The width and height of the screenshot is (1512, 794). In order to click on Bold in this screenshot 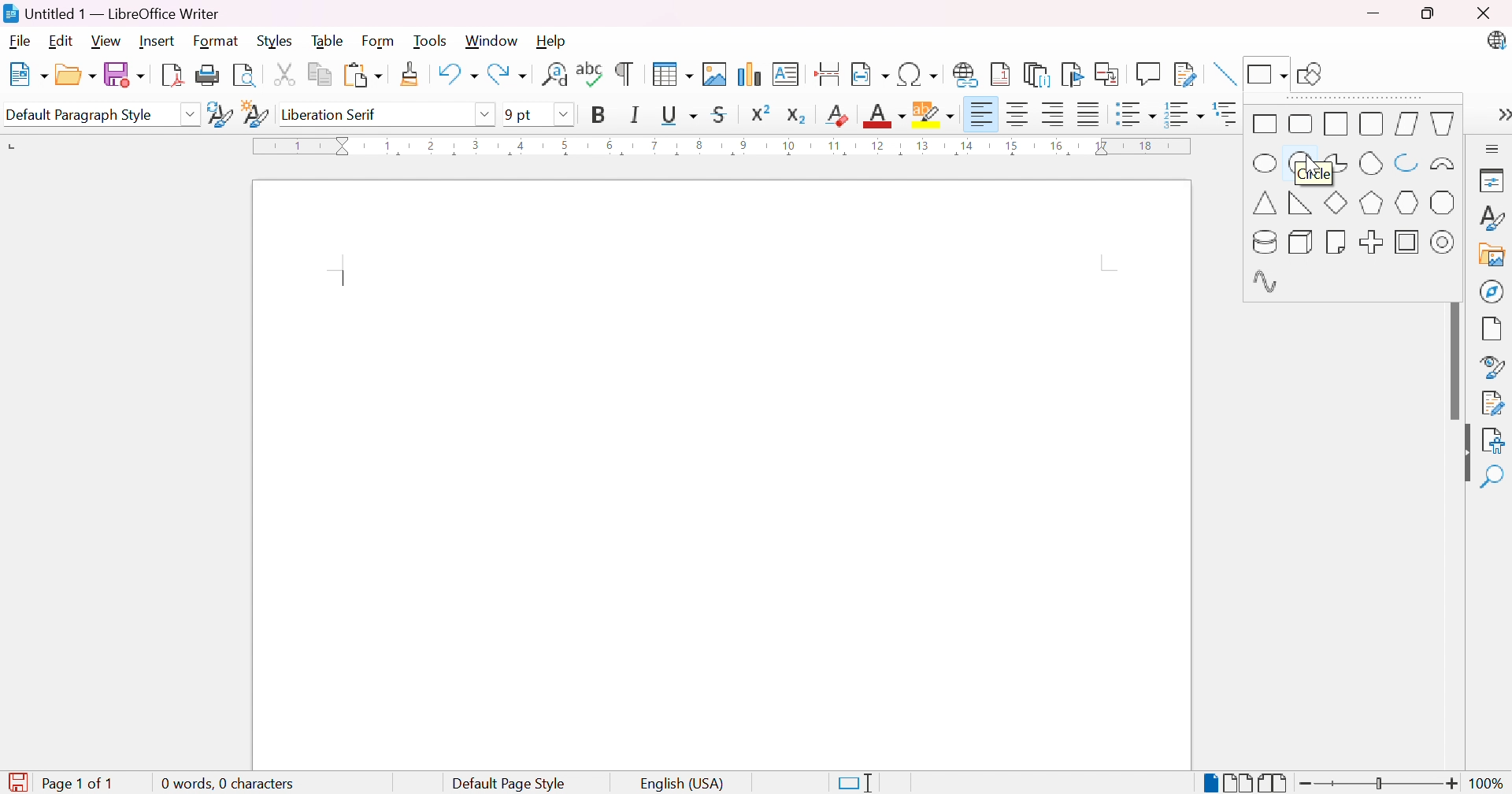, I will do `click(600, 113)`.